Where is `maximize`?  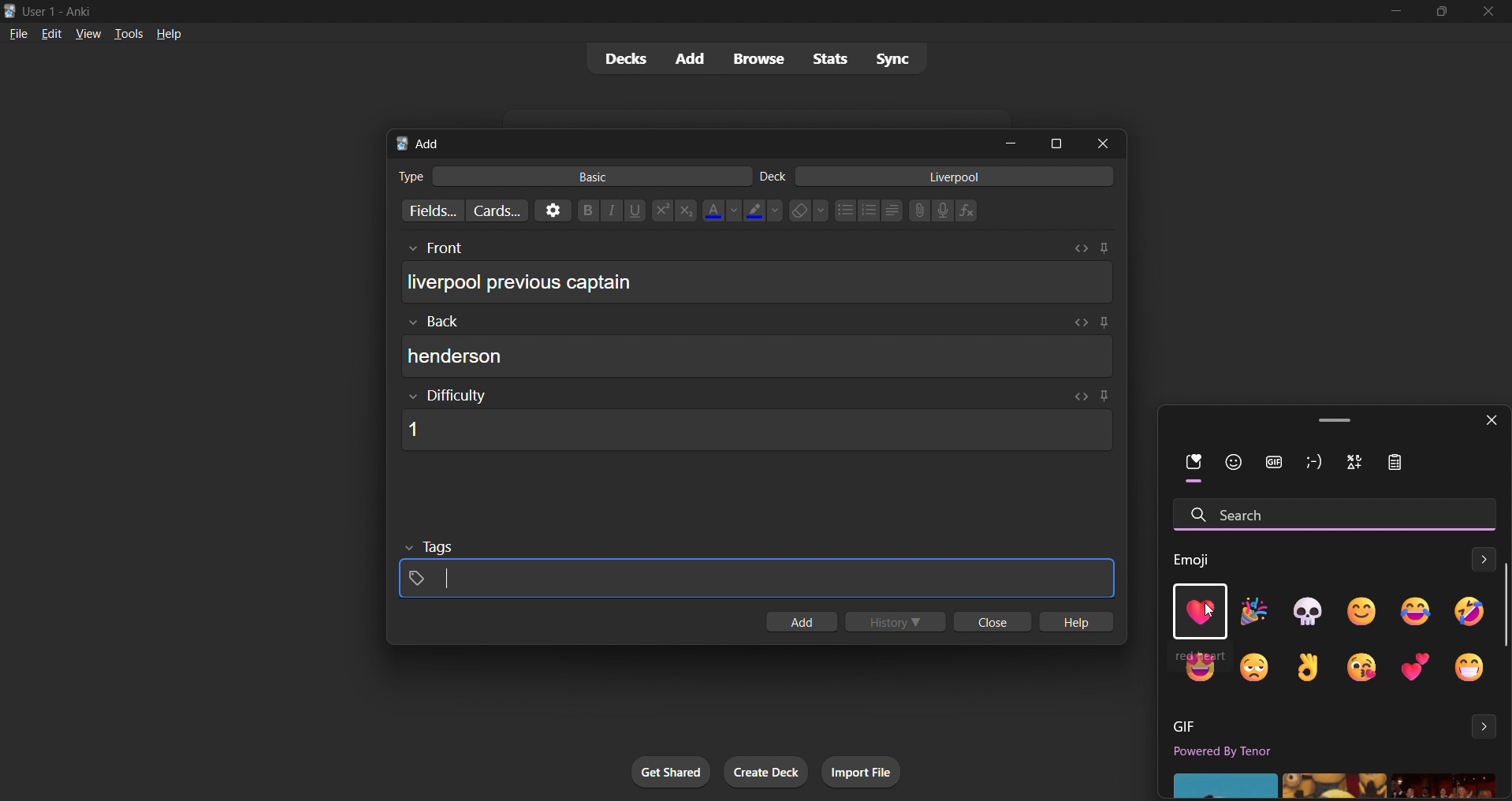 maximize is located at coordinates (1057, 142).